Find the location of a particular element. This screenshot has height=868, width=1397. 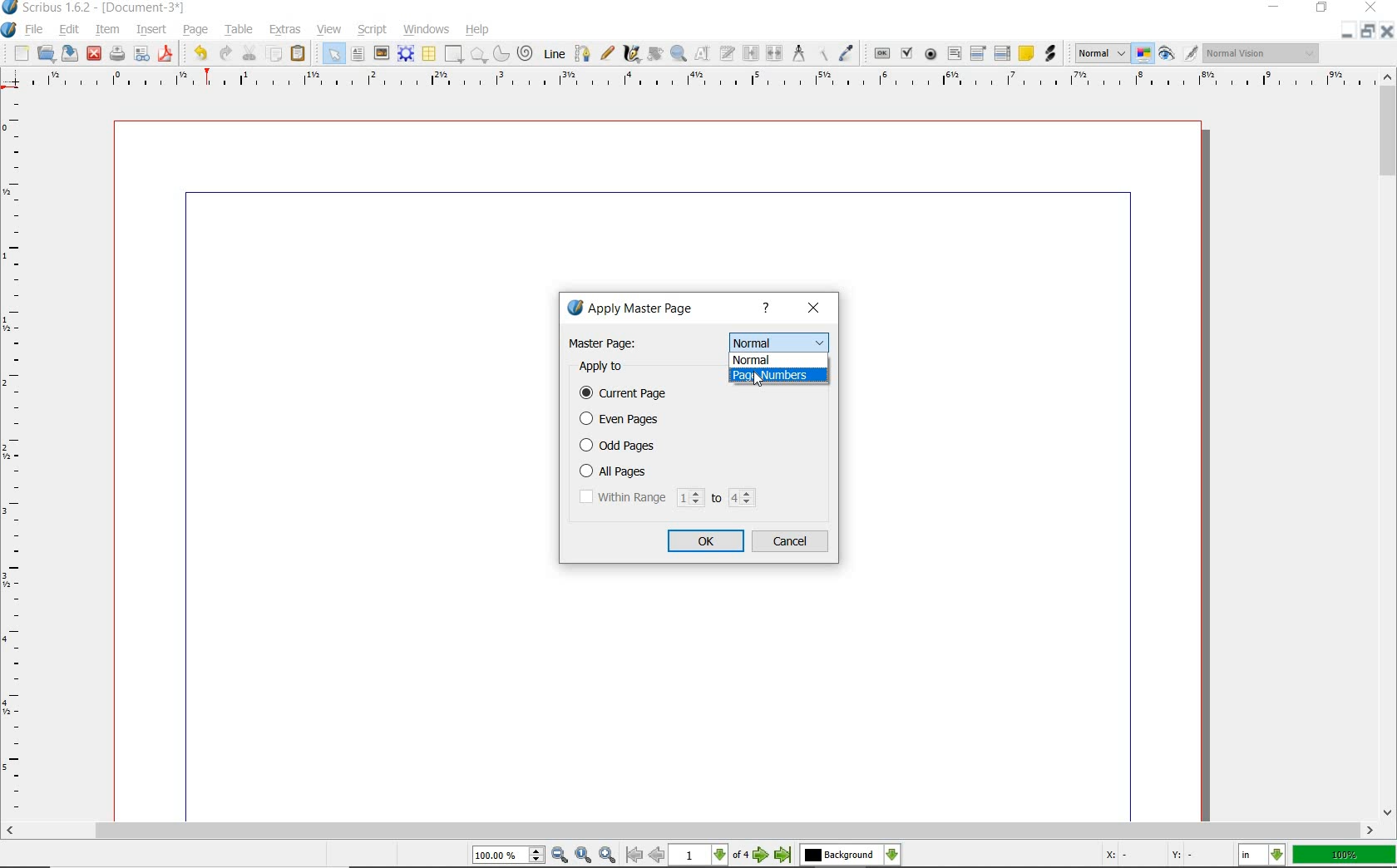

polygon is located at coordinates (477, 55).